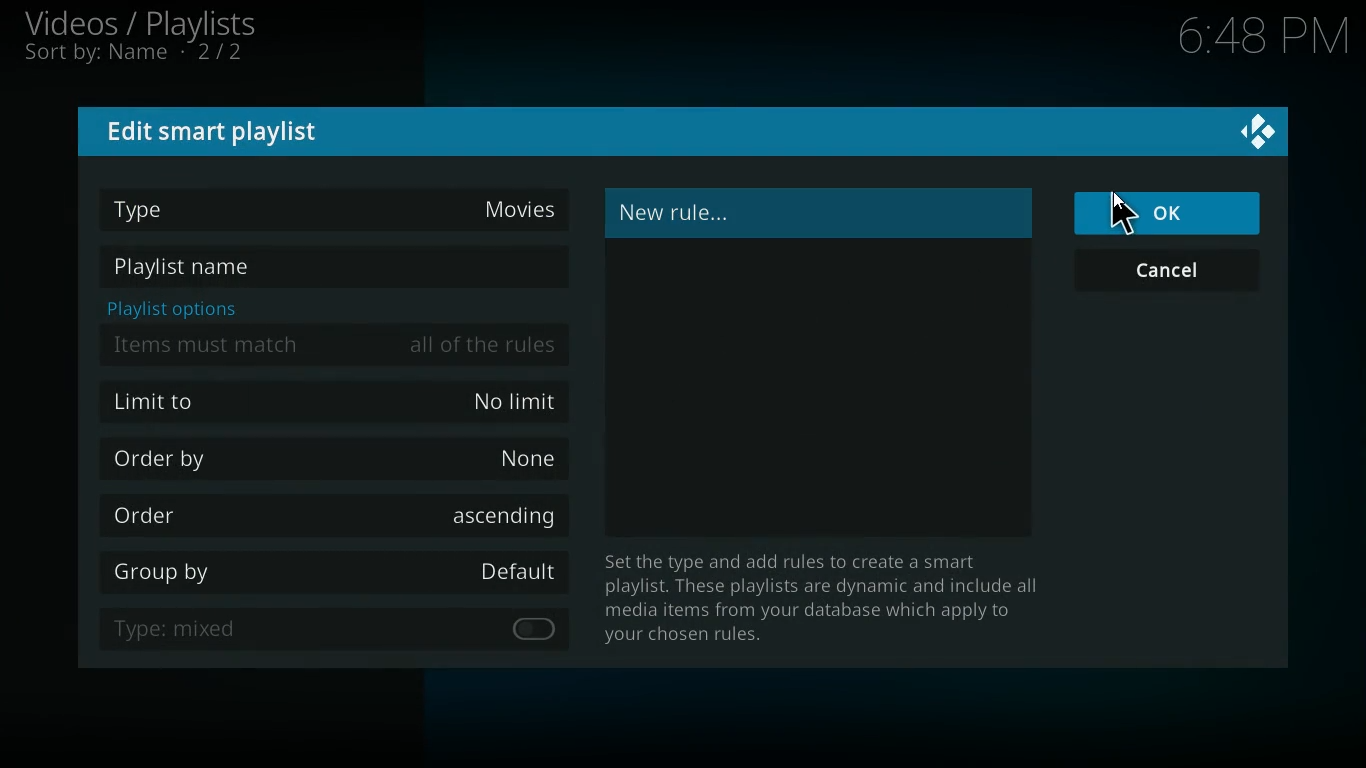 This screenshot has height=768, width=1366. Describe the element at coordinates (298, 628) in the screenshot. I see `type` at that location.